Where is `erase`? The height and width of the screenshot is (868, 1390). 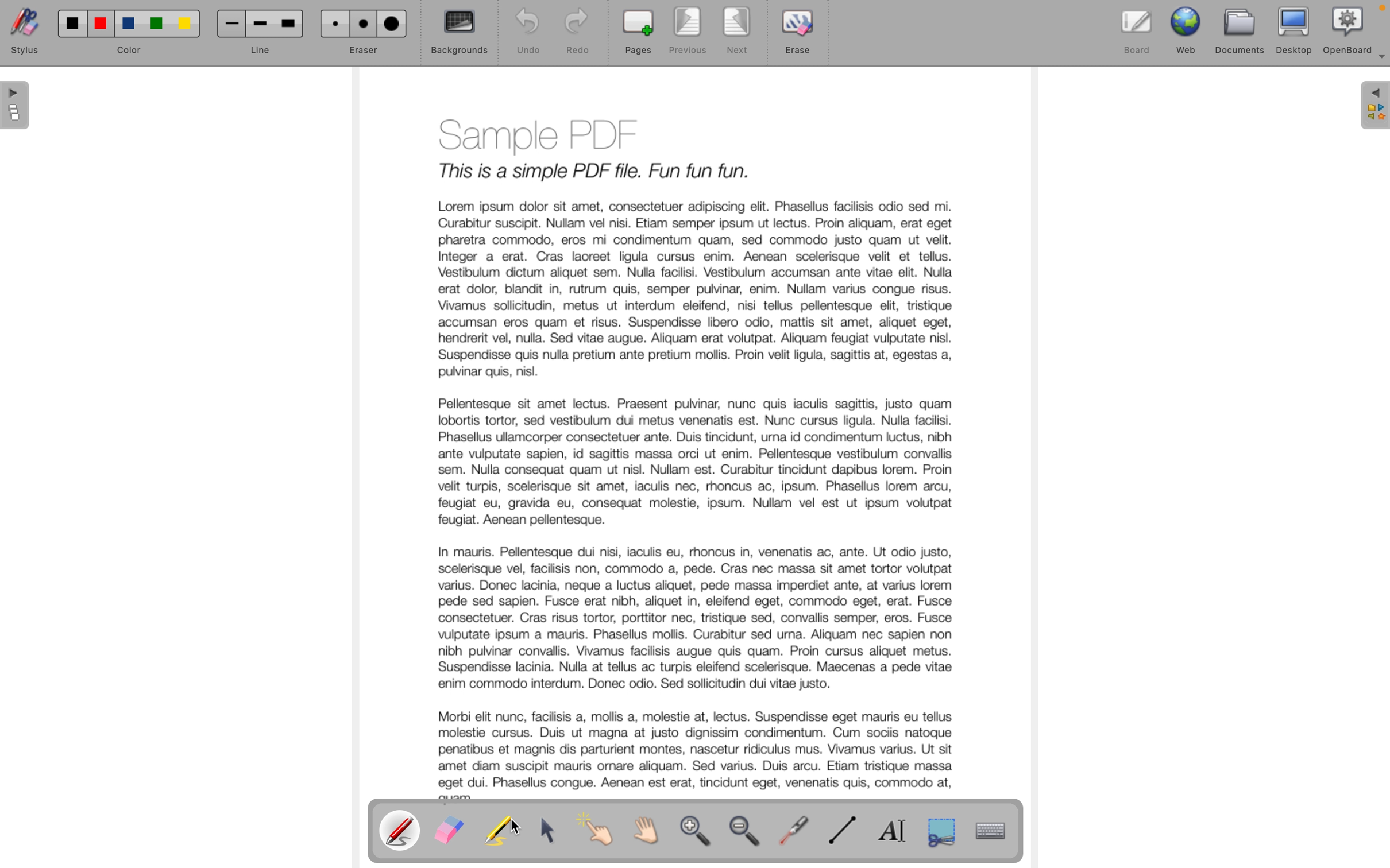 erase is located at coordinates (800, 38).